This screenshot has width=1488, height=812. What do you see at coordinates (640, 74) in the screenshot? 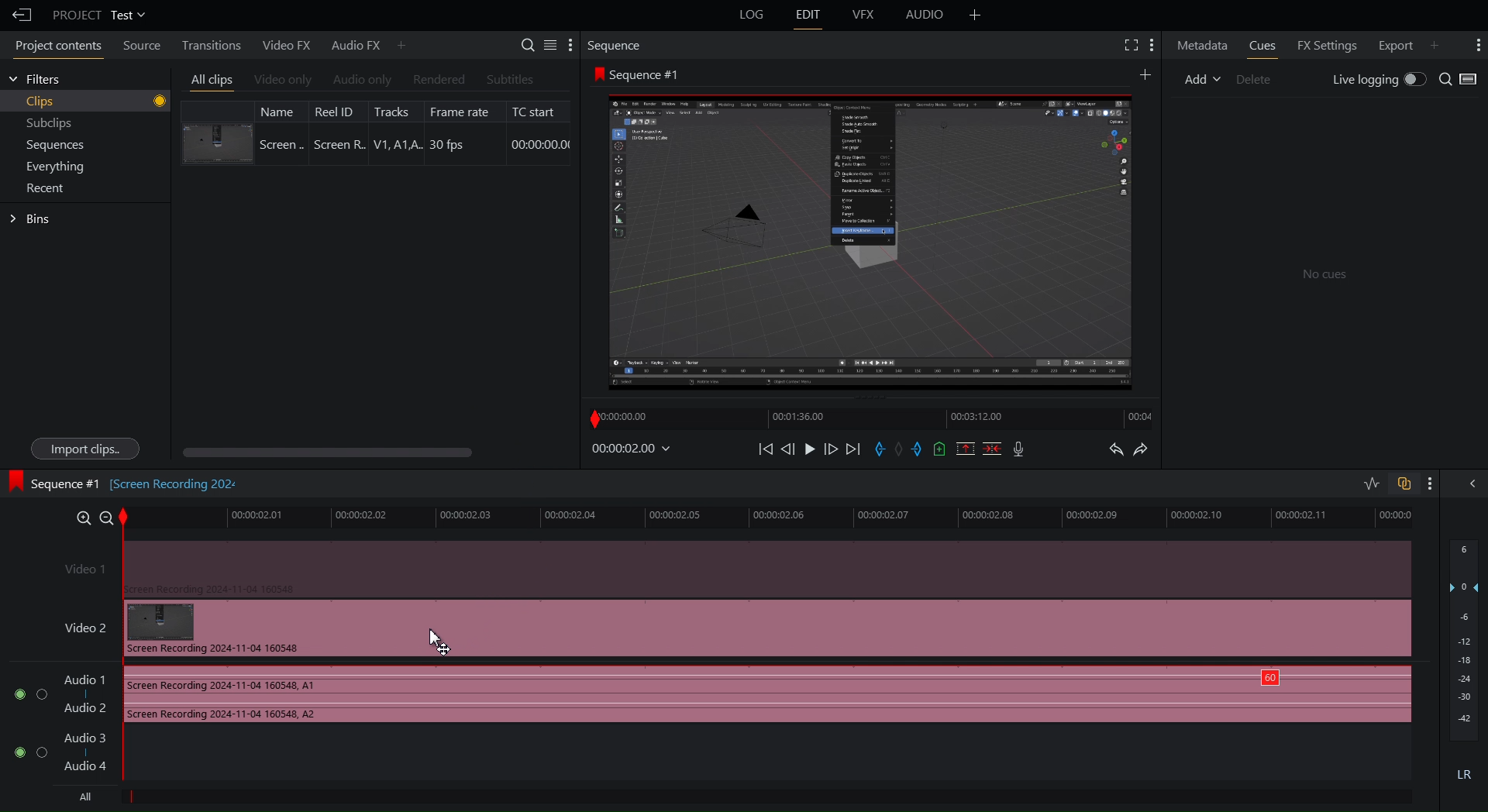
I see `Sequence #1` at bounding box center [640, 74].